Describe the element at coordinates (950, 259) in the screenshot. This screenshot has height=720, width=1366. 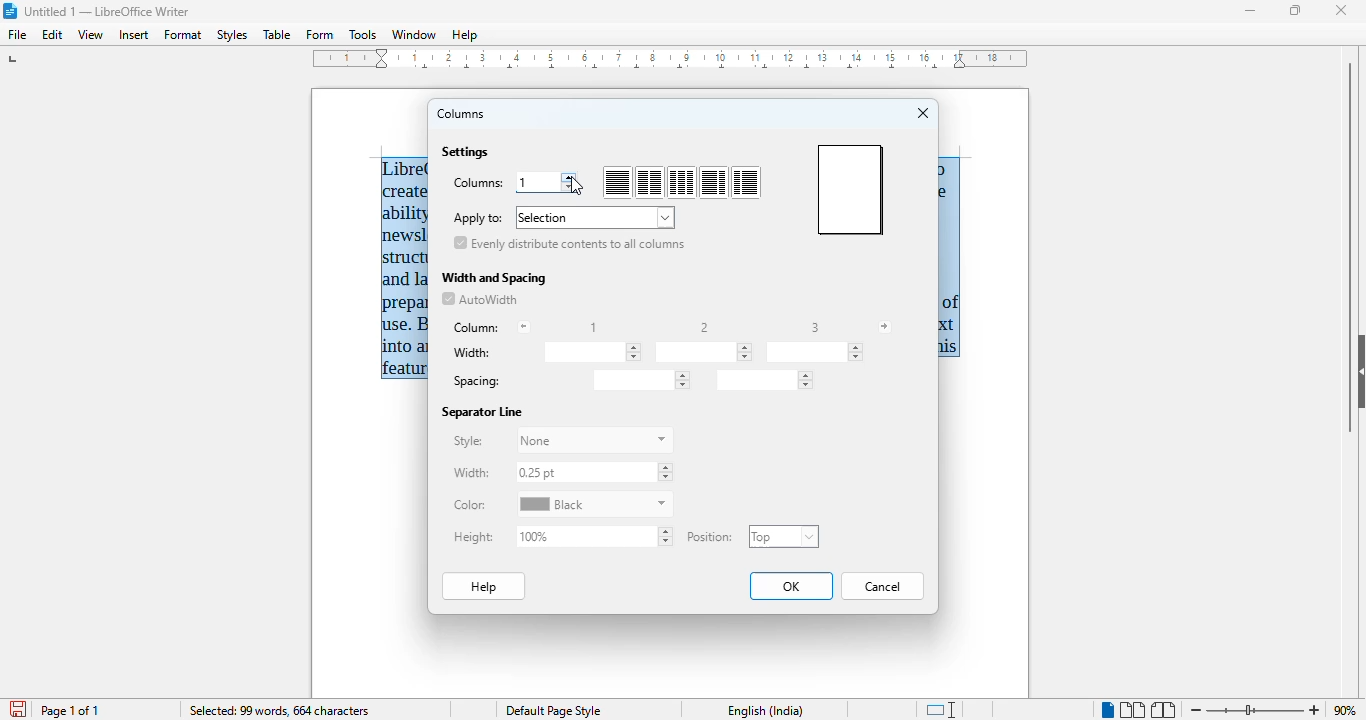
I see `o e of xt his` at that location.